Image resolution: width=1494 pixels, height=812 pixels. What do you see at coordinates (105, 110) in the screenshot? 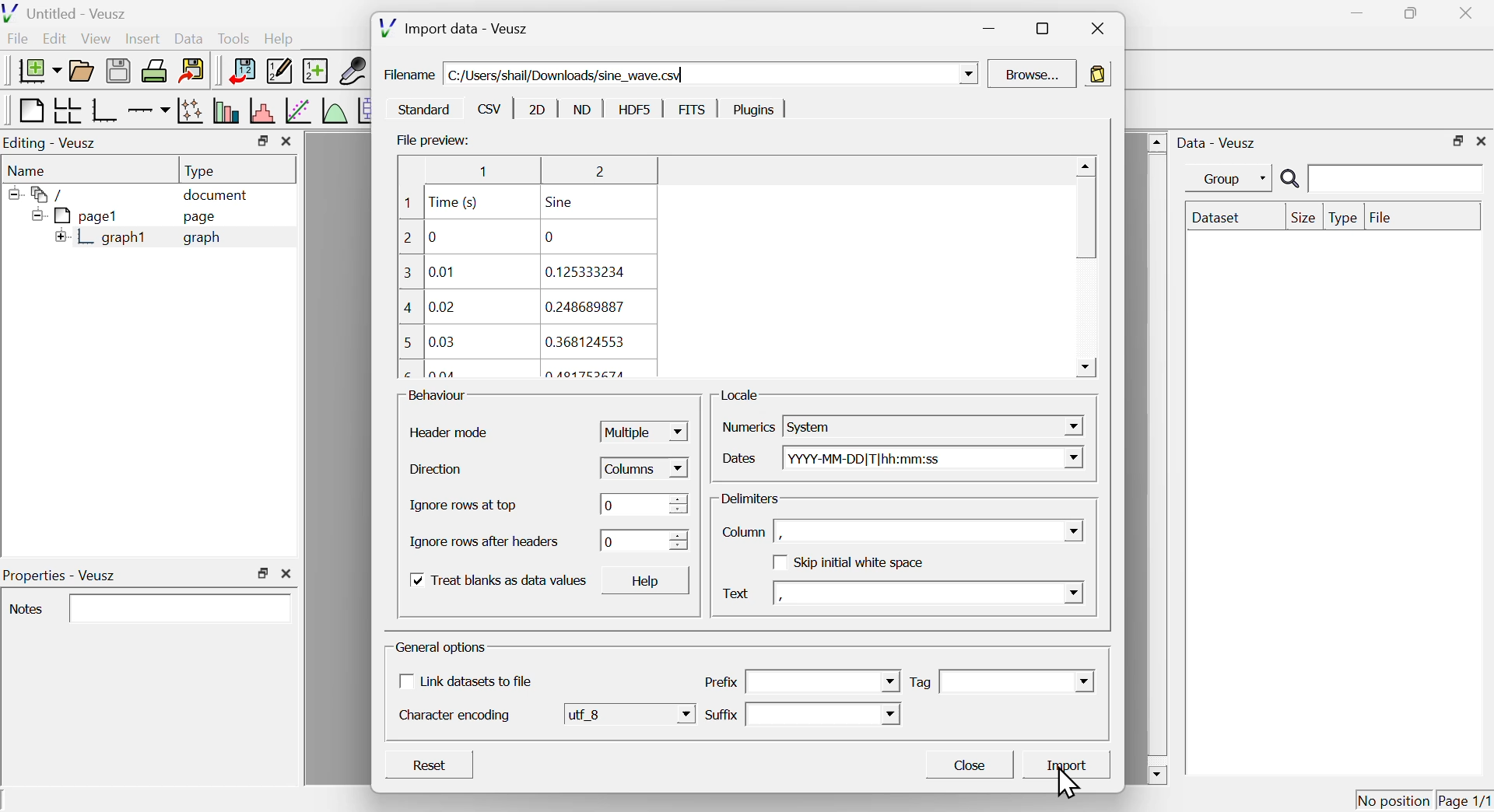
I see `base graph` at bounding box center [105, 110].